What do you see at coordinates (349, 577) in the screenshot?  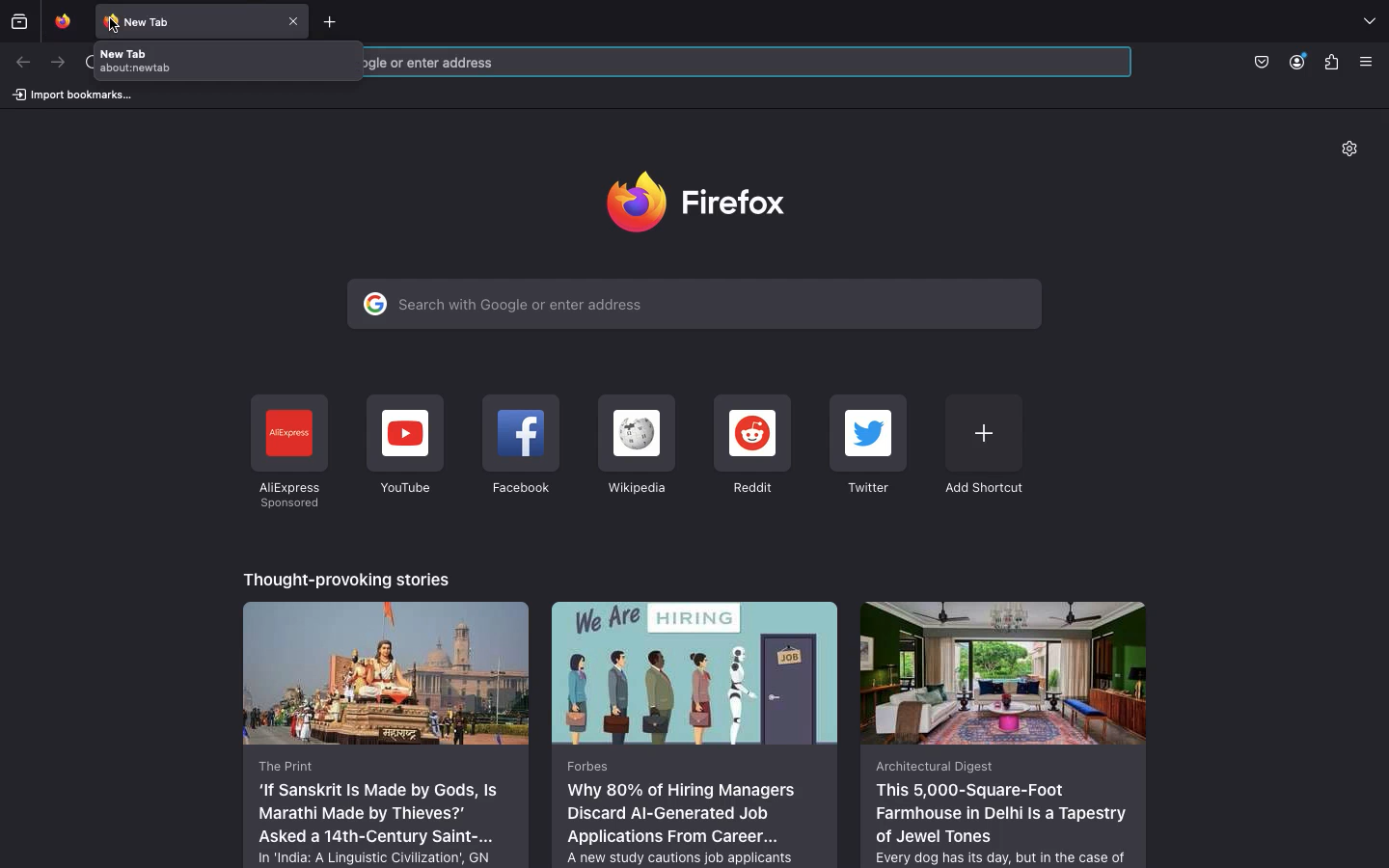 I see `Thought-provoking stories` at bounding box center [349, 577].